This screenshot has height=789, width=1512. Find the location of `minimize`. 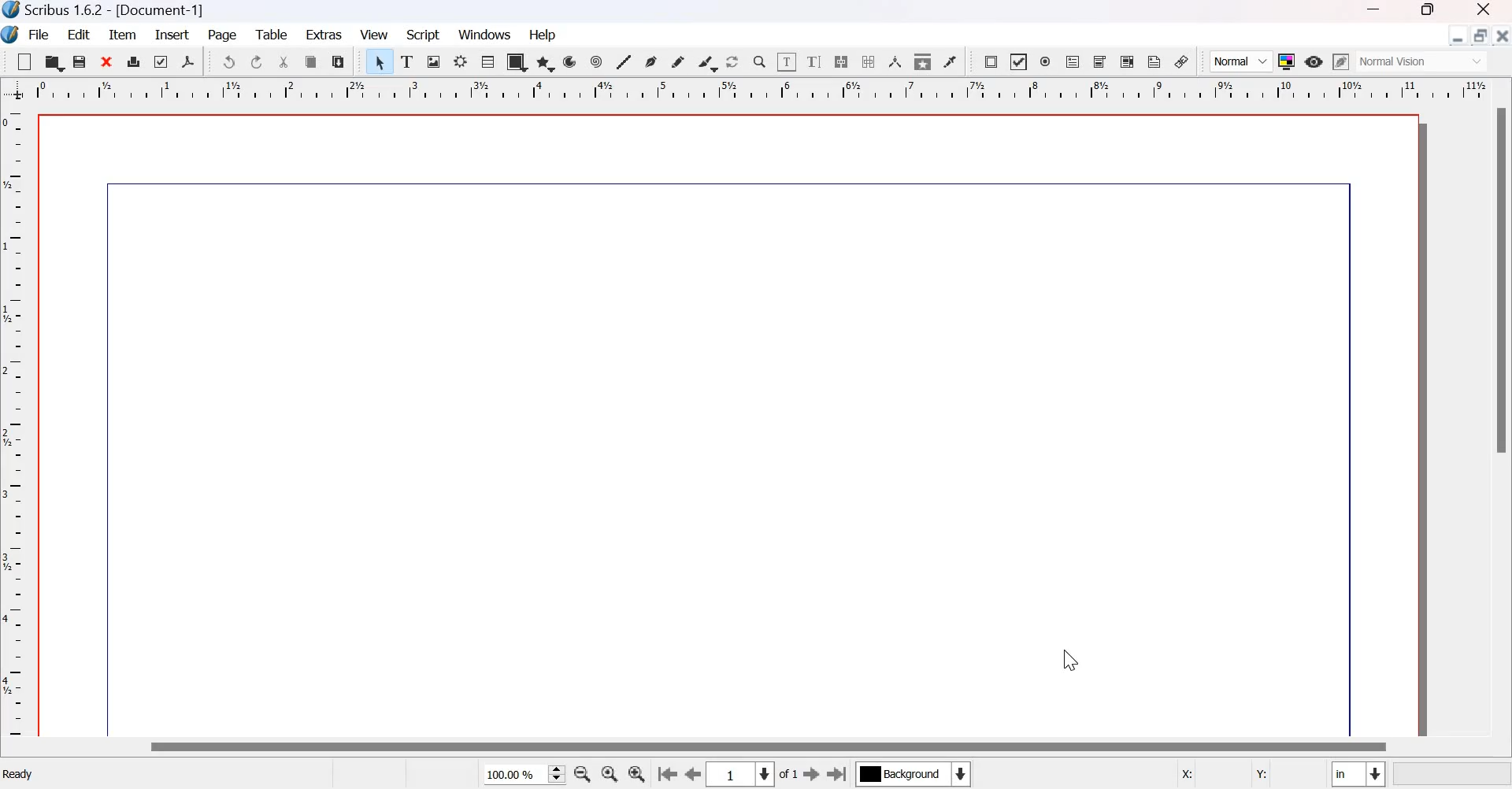

minimize is located at coordinates (1376, 11).